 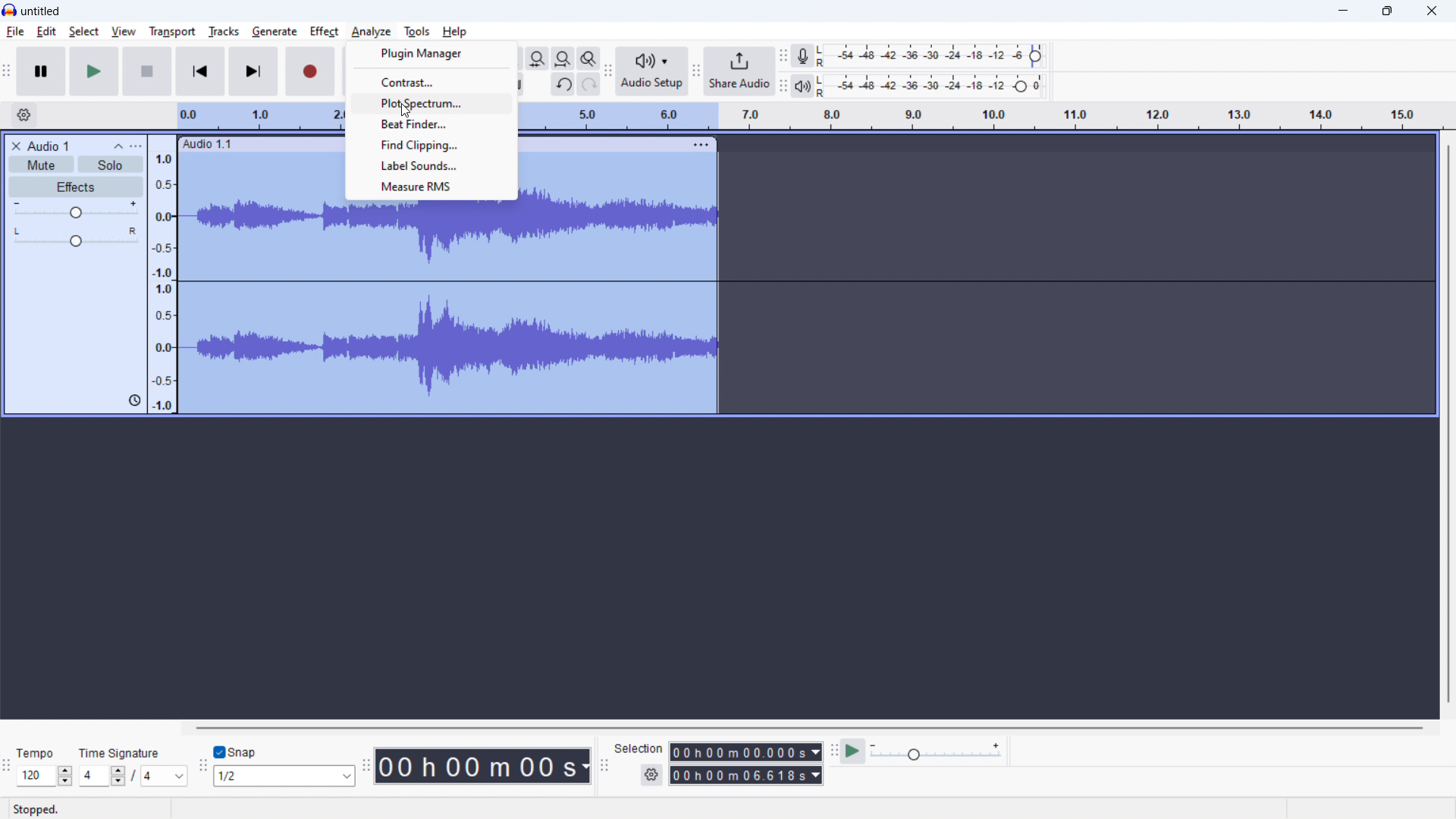 What do you see at coordinates (275, 32) in the screenshot?
I see `generate` at bounding box center [275, 32].